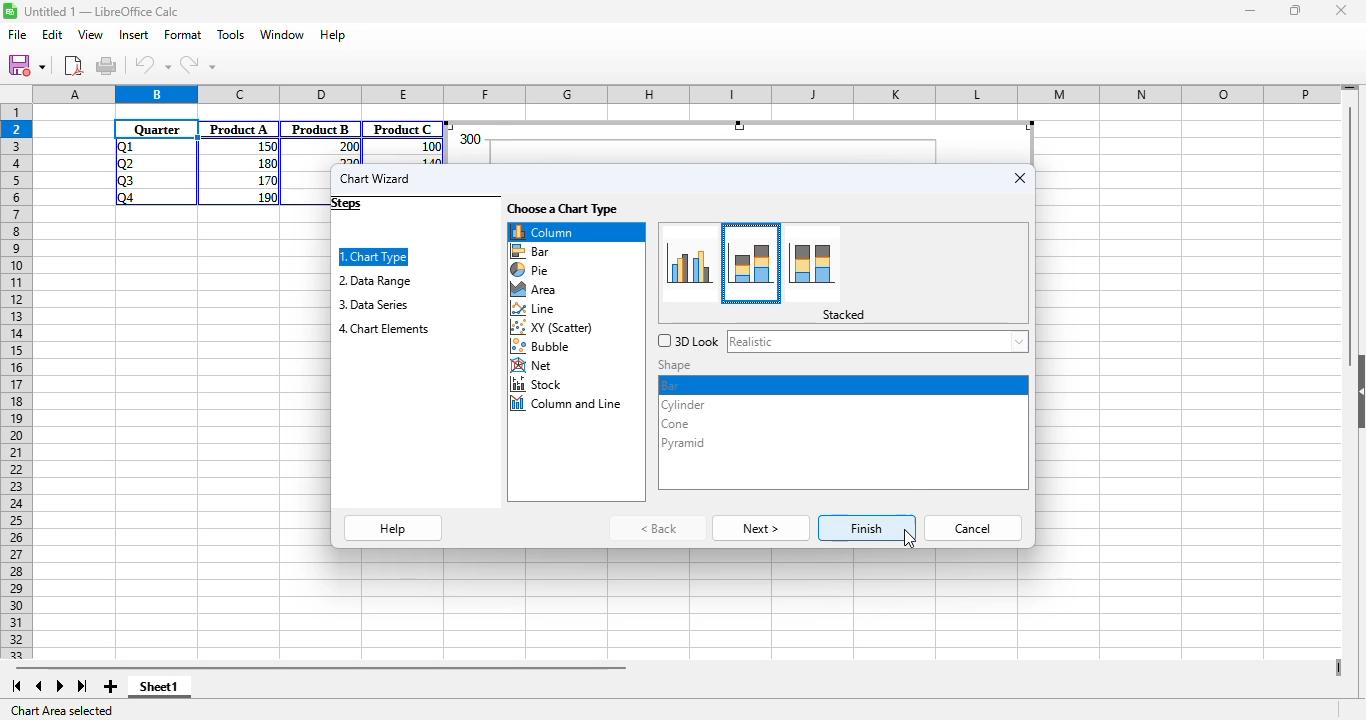  I want to click on help, so click(394, 529).